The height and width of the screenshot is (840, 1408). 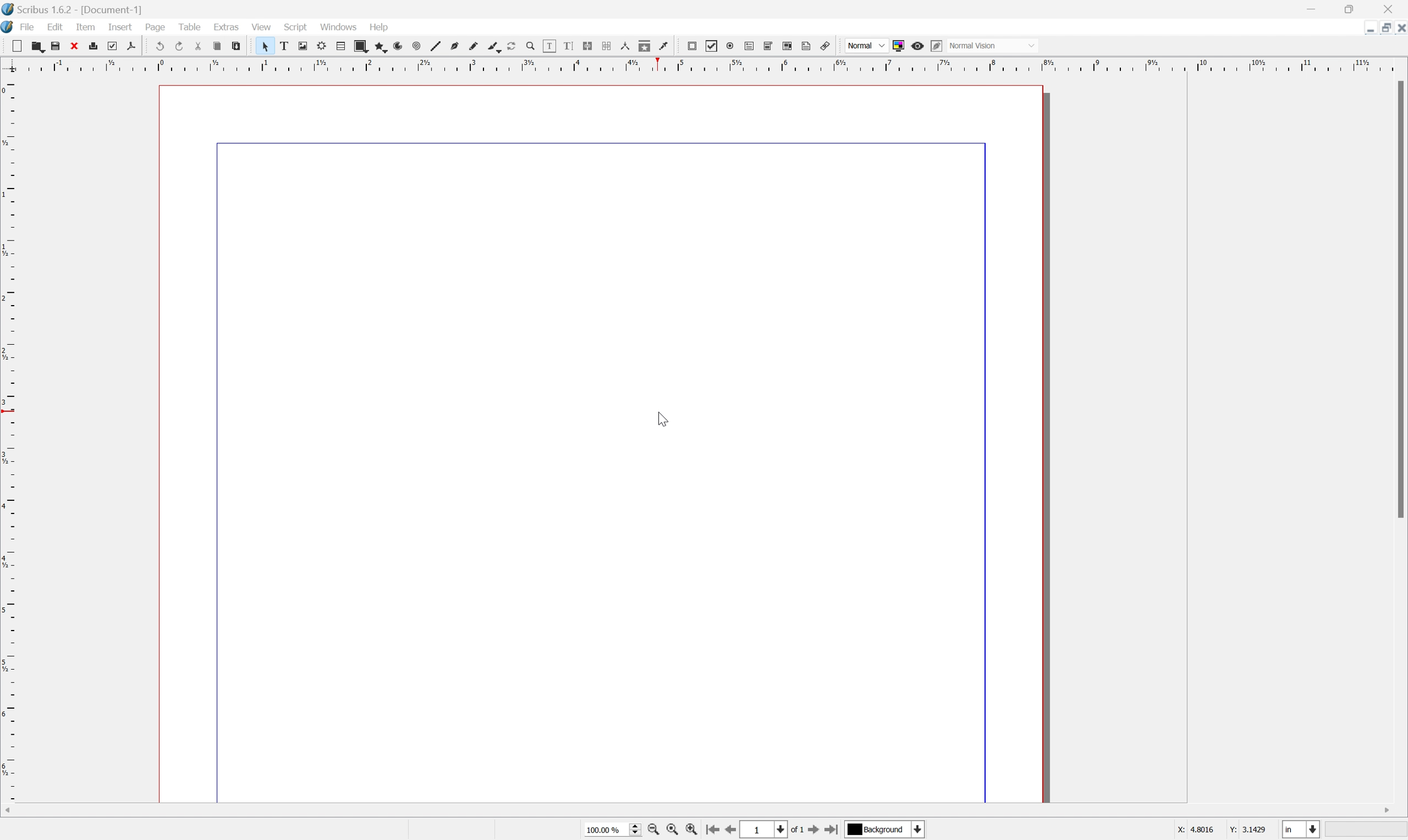 What do you see at coordinates (157, 44) in the screenshot?
I see `undo` at bounding box center [157, 44].